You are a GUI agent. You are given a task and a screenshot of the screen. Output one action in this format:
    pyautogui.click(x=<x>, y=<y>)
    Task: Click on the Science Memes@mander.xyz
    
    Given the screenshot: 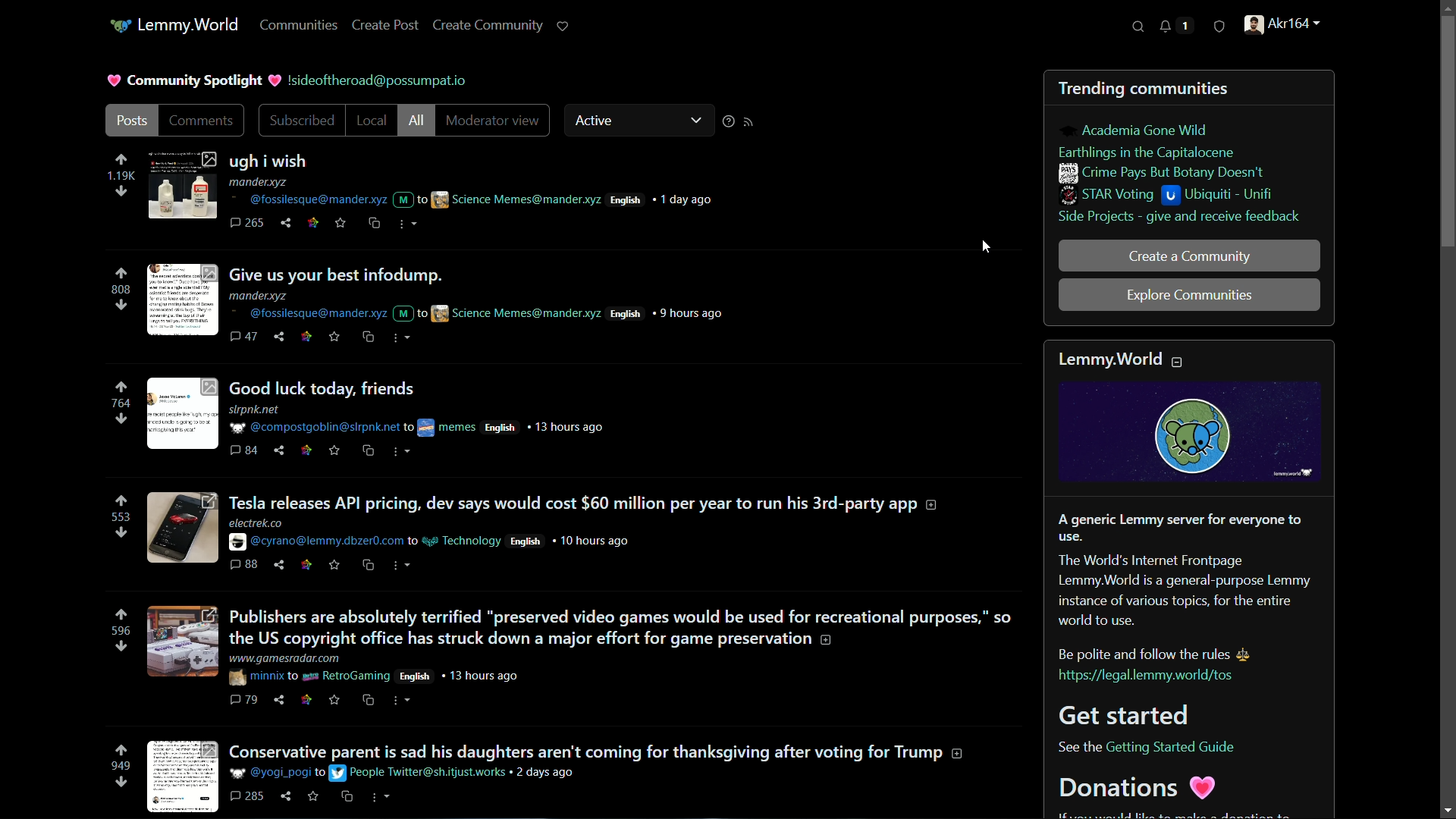 What is the action you would take?
    pyautogui.click(x=516, y=200)
    